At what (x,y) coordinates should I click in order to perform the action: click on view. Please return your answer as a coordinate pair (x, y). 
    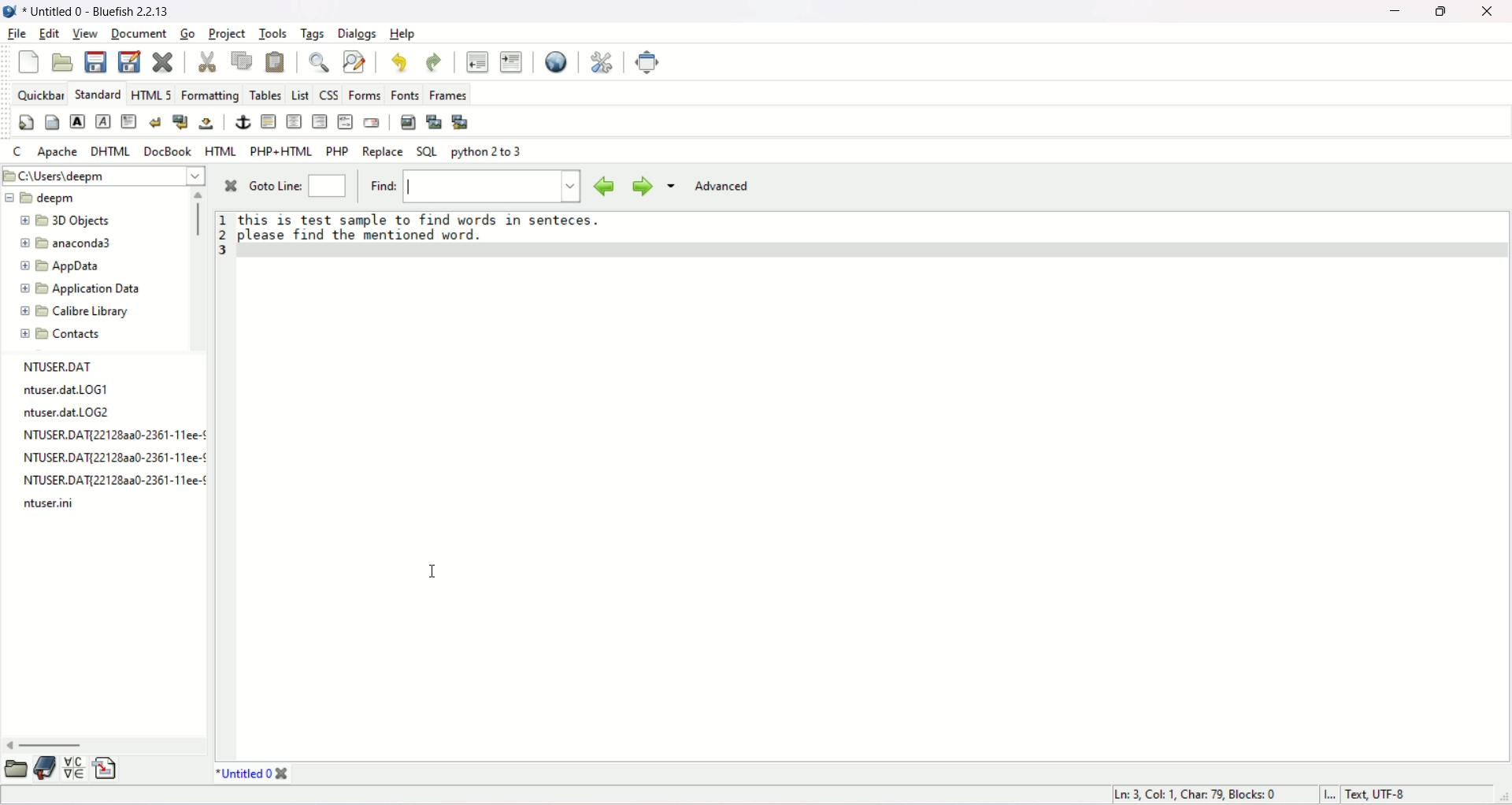
    Looking at the image, I should click on (84, 34).